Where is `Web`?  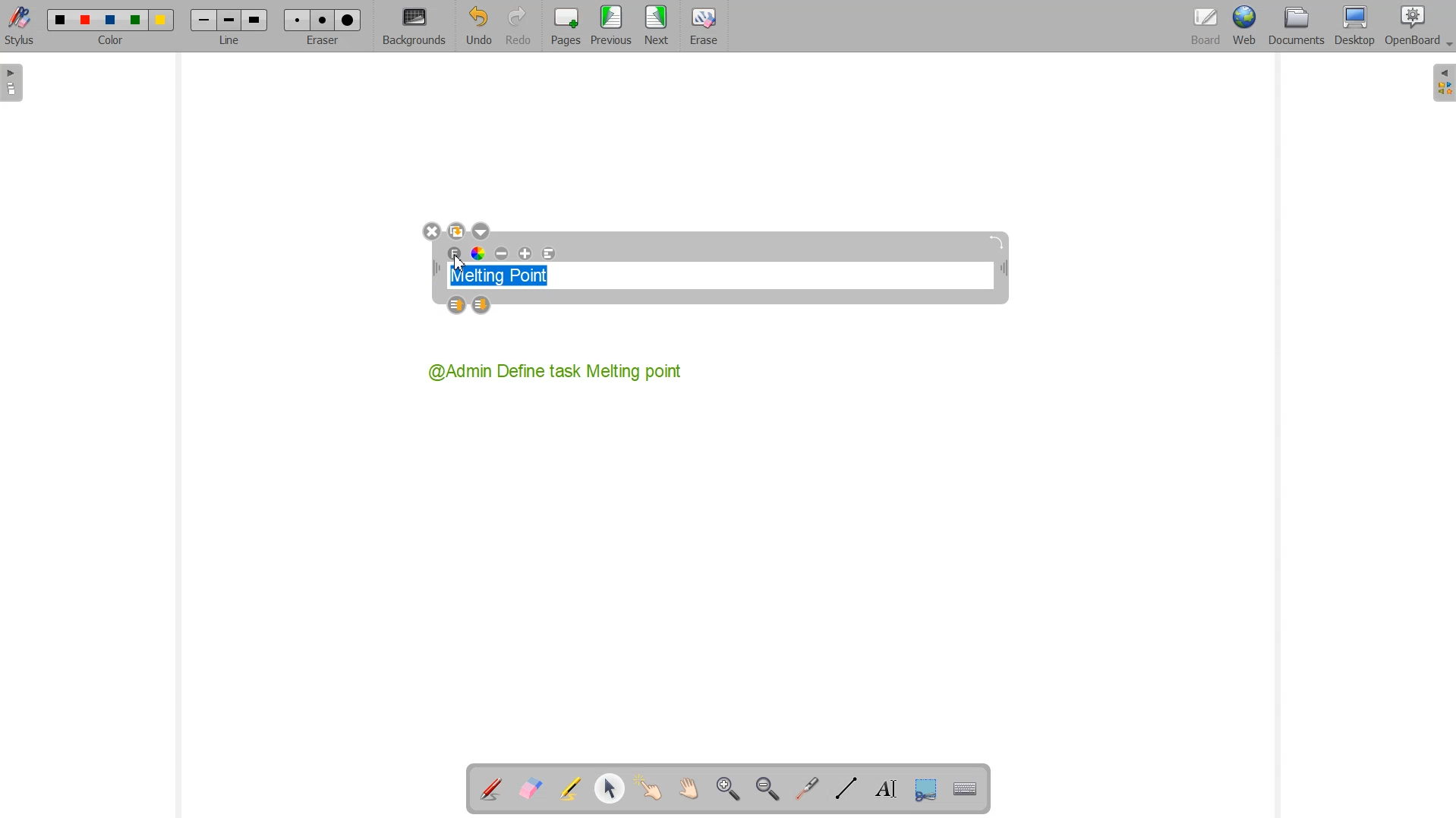 Web is located at coordinates (1243, 27).